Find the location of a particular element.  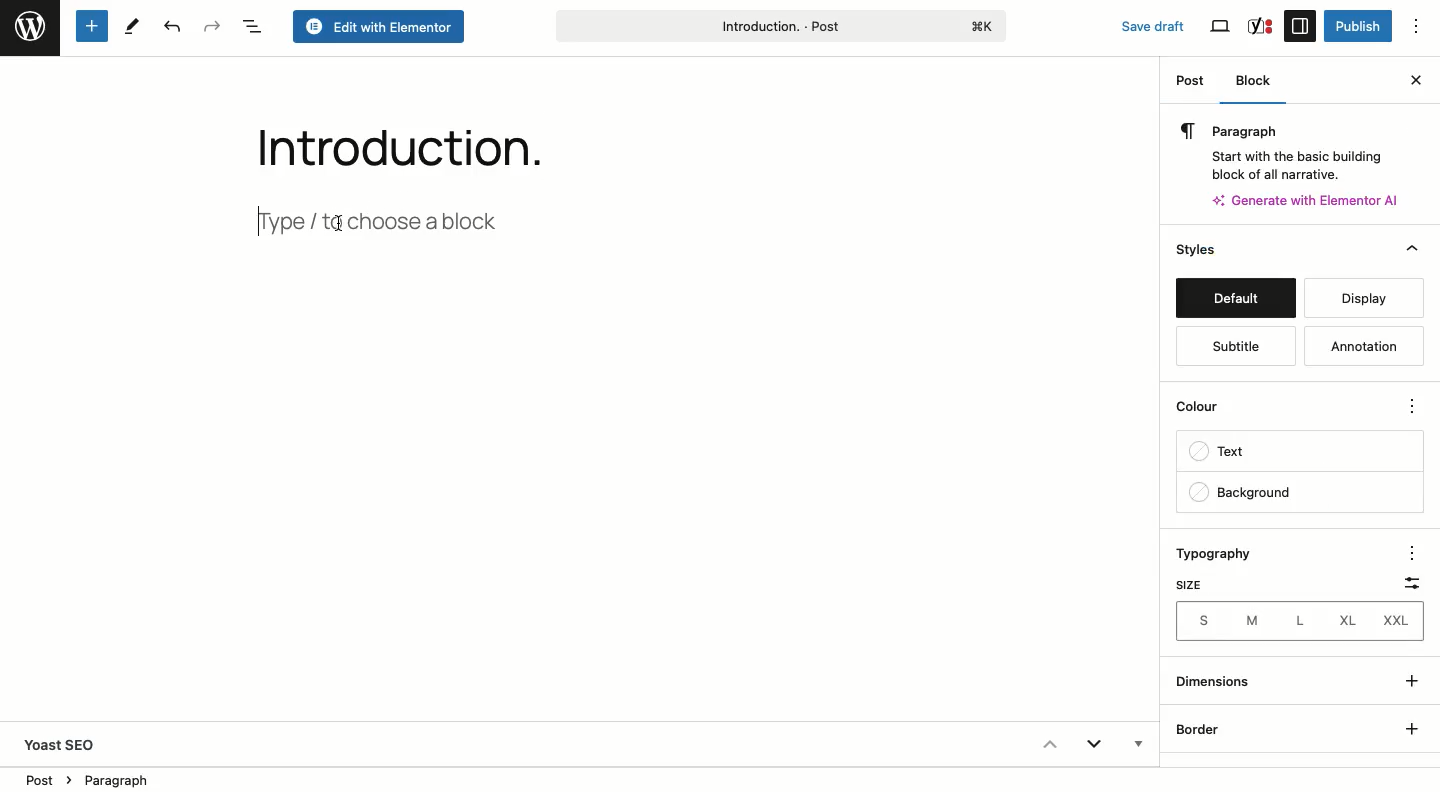

Display is located at coordinates (1357, 298).